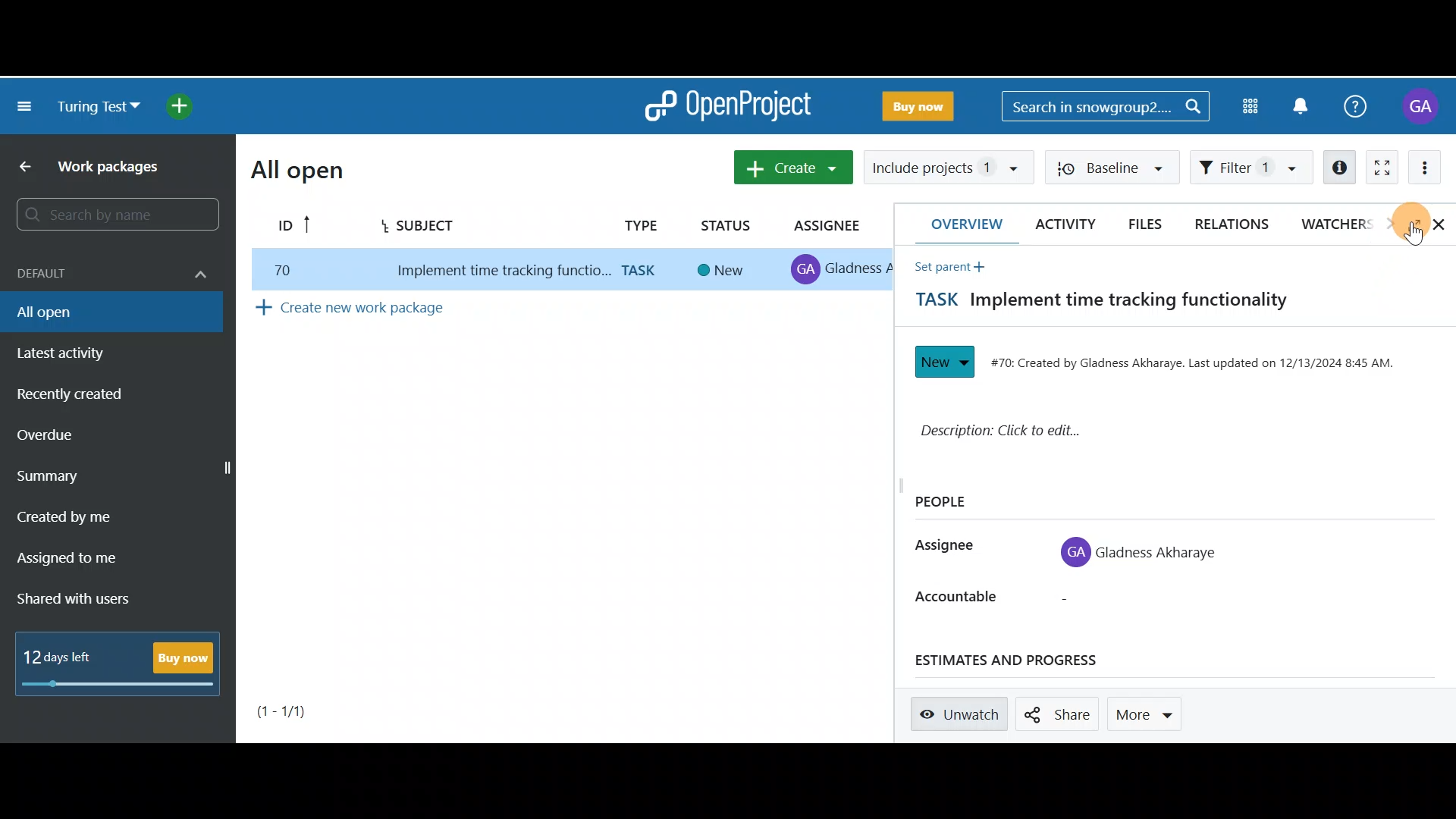 The height and width of the screenshot is (819, 1456). What do you see at coordinates (795, 170) in the screenshot?
I see `Create` at bounding box center [795, 170].